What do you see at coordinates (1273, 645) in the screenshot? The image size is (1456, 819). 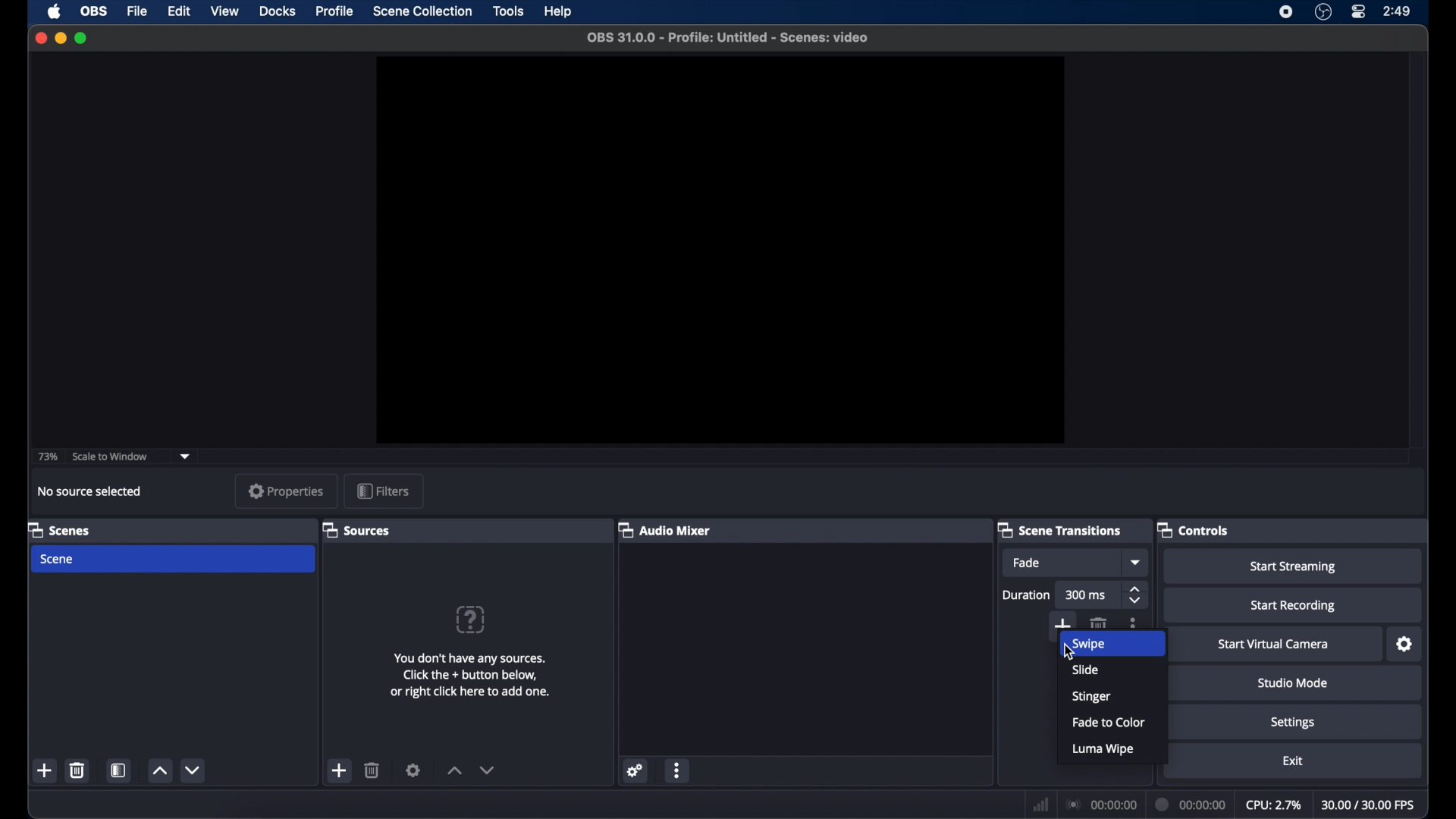 I see `start virtual camera` at bounding box center [1273, 645].